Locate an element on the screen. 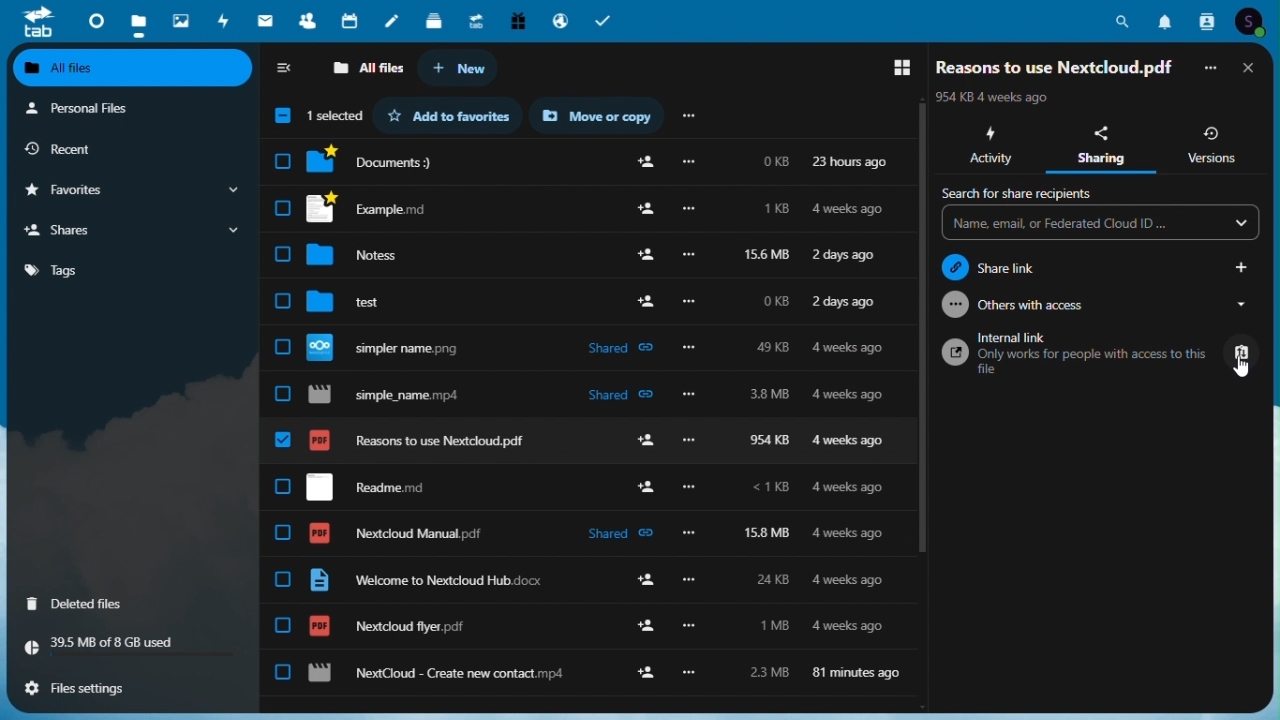 Image resolution: width=1280 pixels, height=720 pixels.  is located at coordinates (696, 671).